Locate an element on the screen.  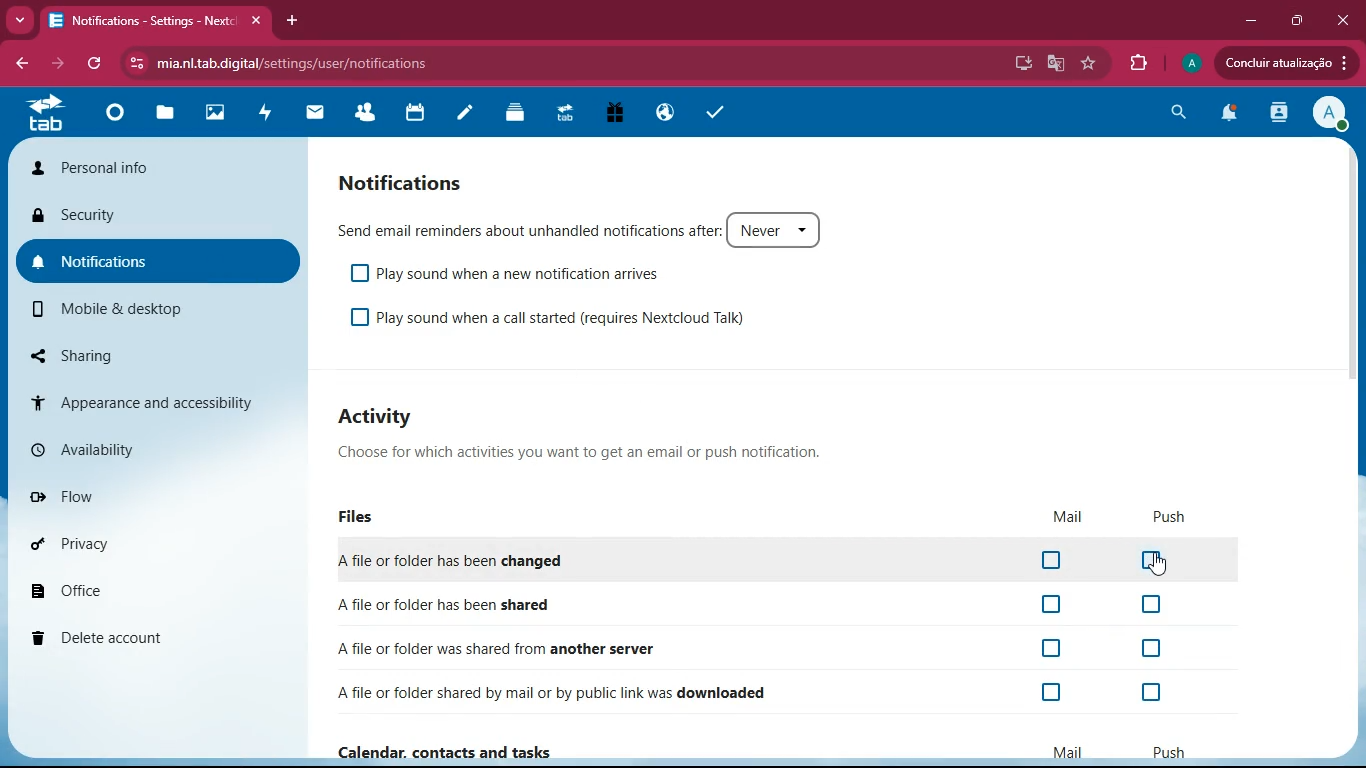
Cursor is located at coordinates (1162, 565).